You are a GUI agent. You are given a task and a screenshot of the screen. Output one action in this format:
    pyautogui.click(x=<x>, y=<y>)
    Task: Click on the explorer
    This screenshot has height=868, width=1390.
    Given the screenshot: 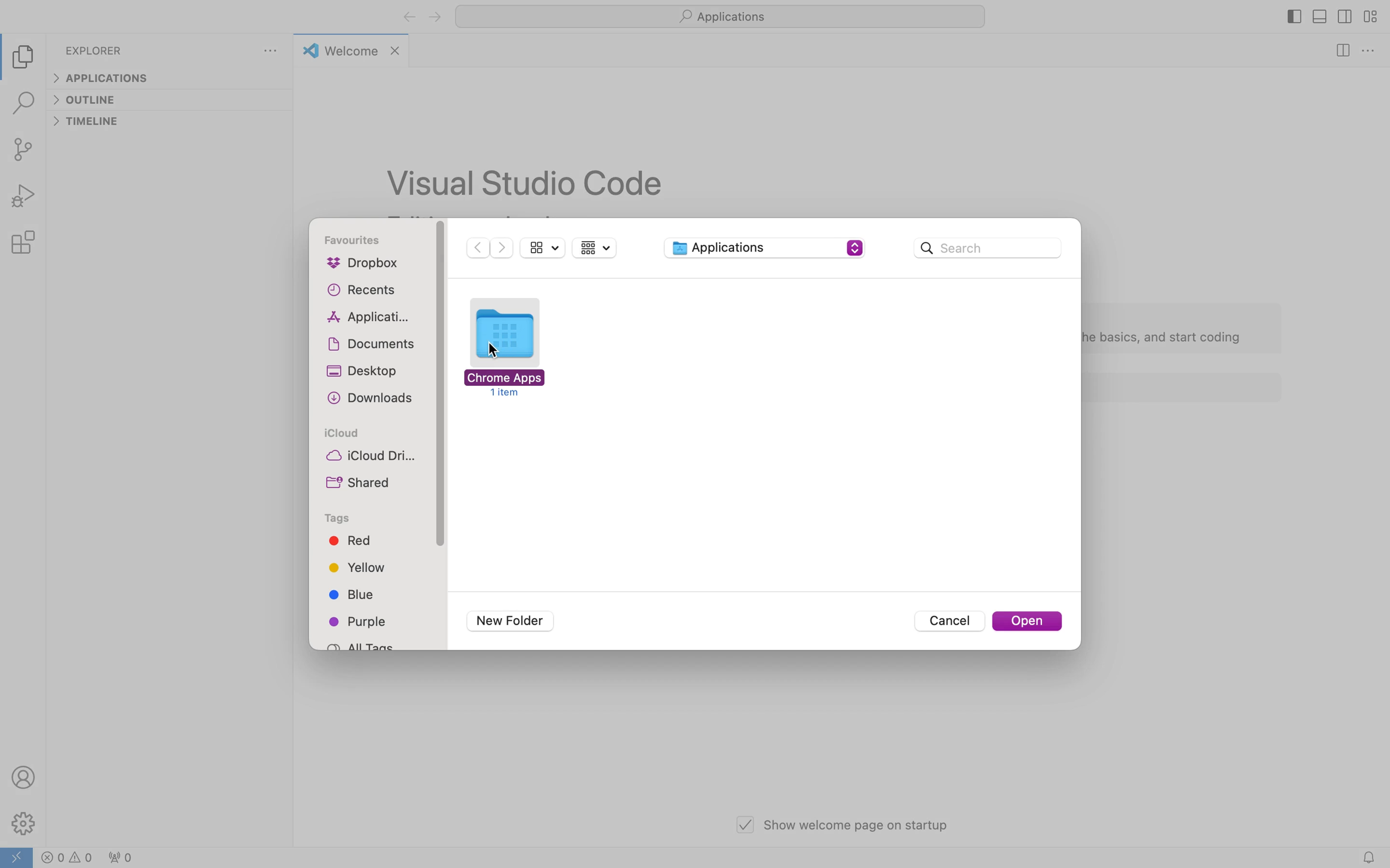 What is the action you would take?
    pyautogui.click(x=27, y=57)
    